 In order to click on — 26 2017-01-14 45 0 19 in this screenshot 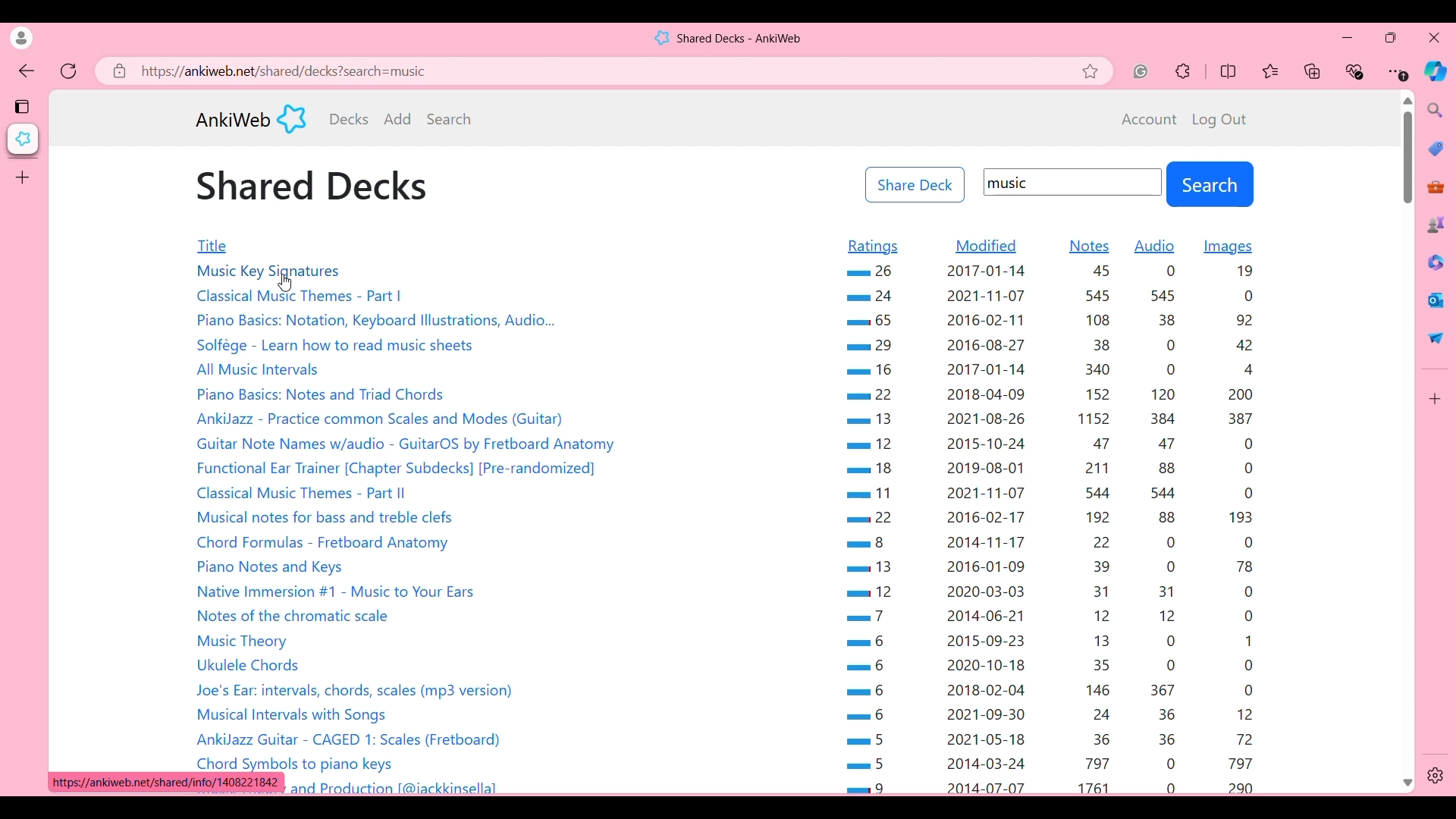, I will do `click(1057, 274)`.